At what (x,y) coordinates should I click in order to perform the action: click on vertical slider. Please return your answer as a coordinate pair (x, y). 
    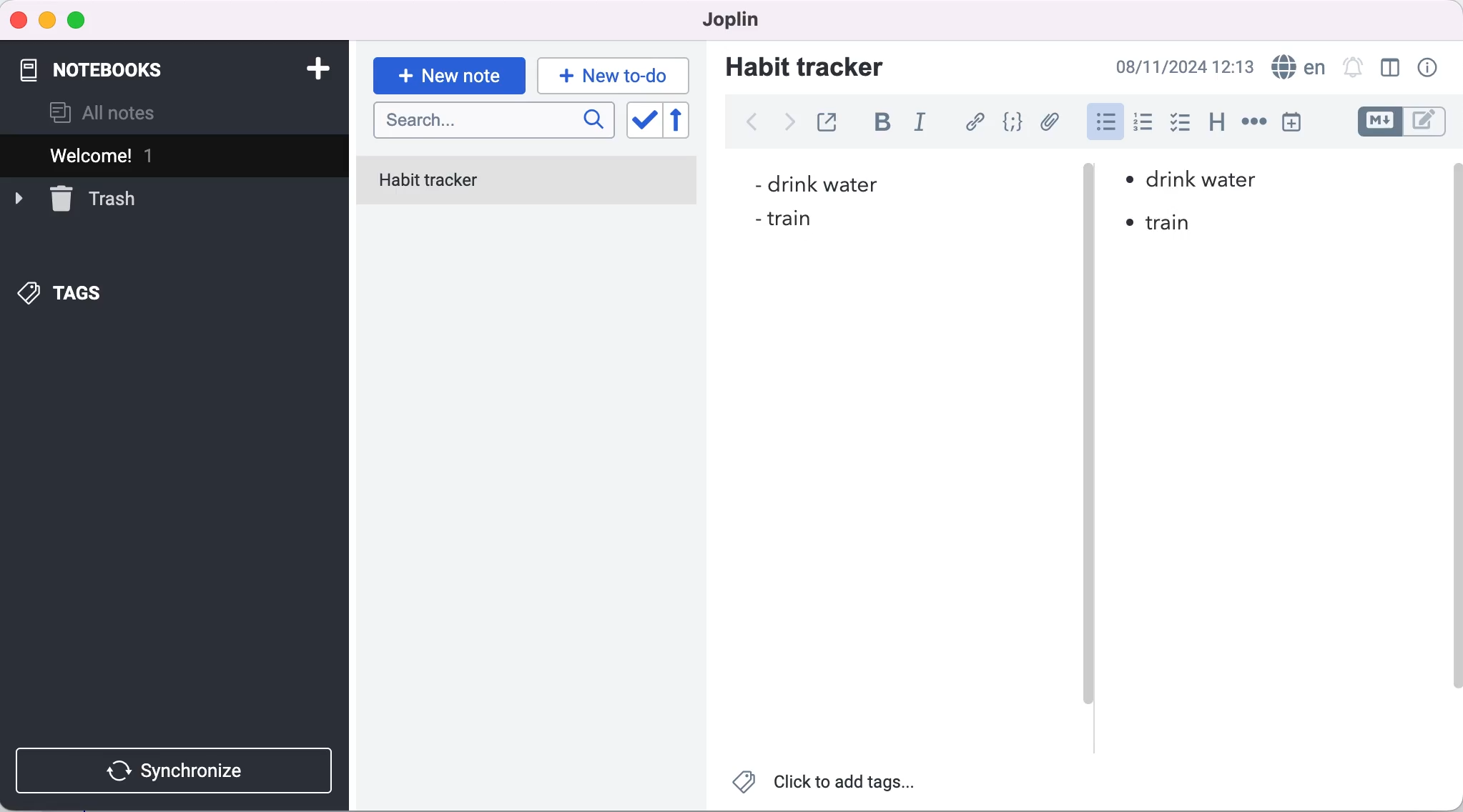
    Looking at the image, I should click on (1088, 450).